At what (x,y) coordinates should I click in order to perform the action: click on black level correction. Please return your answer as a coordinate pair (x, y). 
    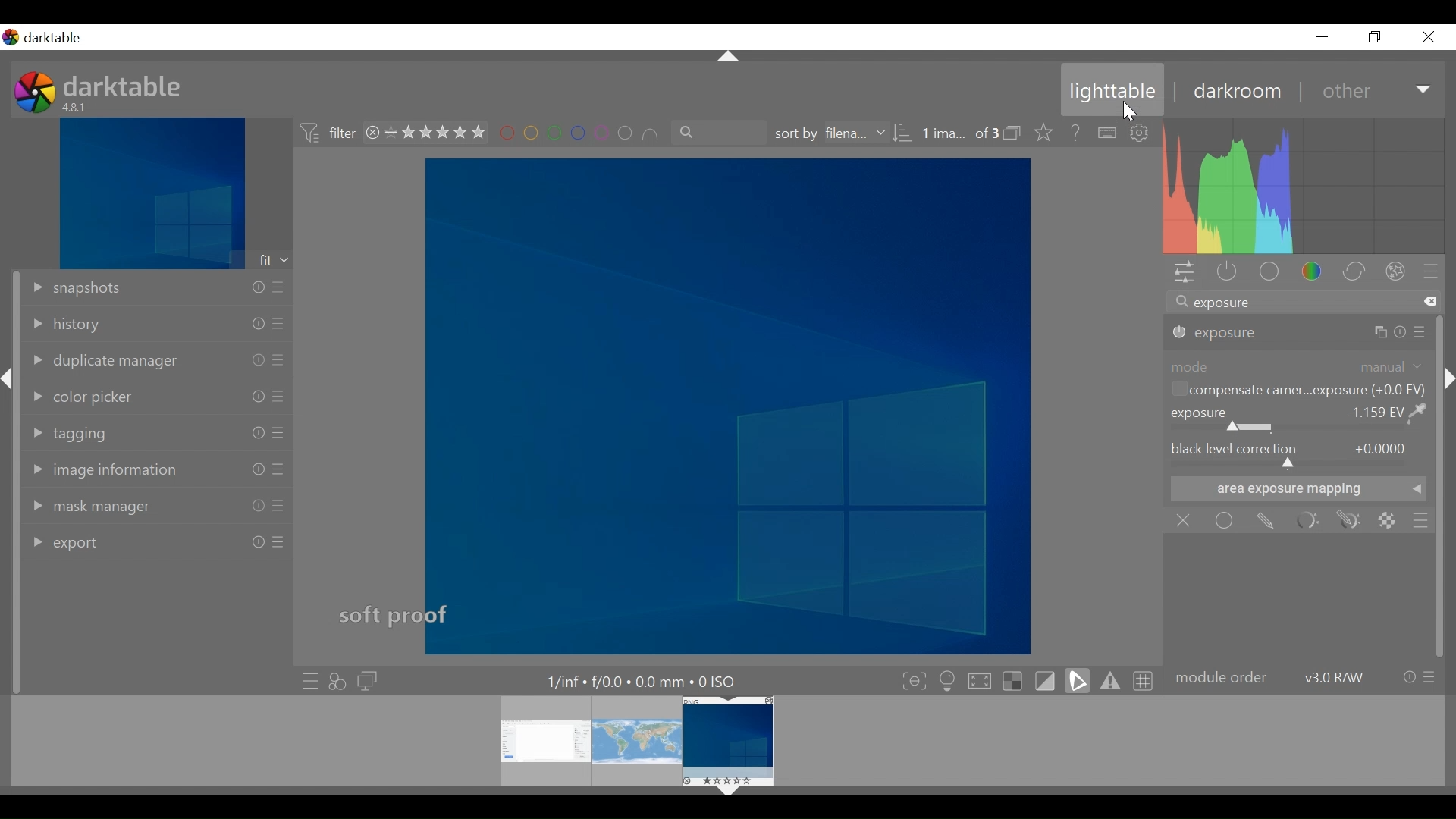
    Looking at the image, I should click on (1297, 466).